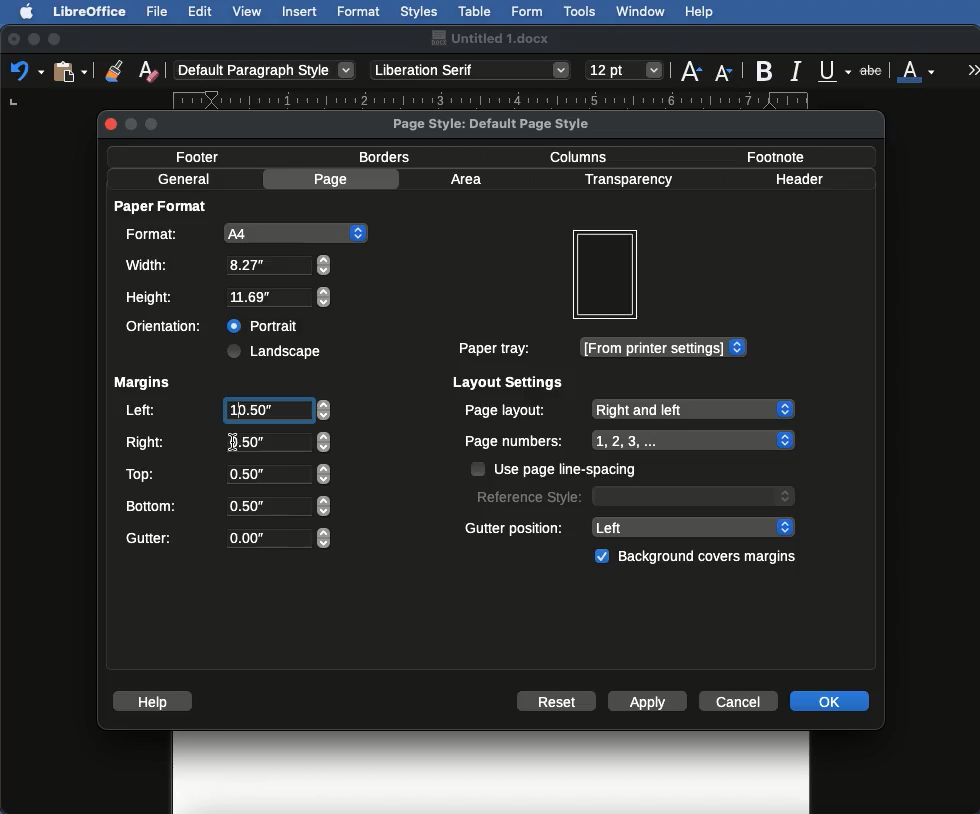 The height and width of the screenshot is (814, 980). Describe the element at coordinates (204, 156) in the screenshot. I see `Footer` at that location.